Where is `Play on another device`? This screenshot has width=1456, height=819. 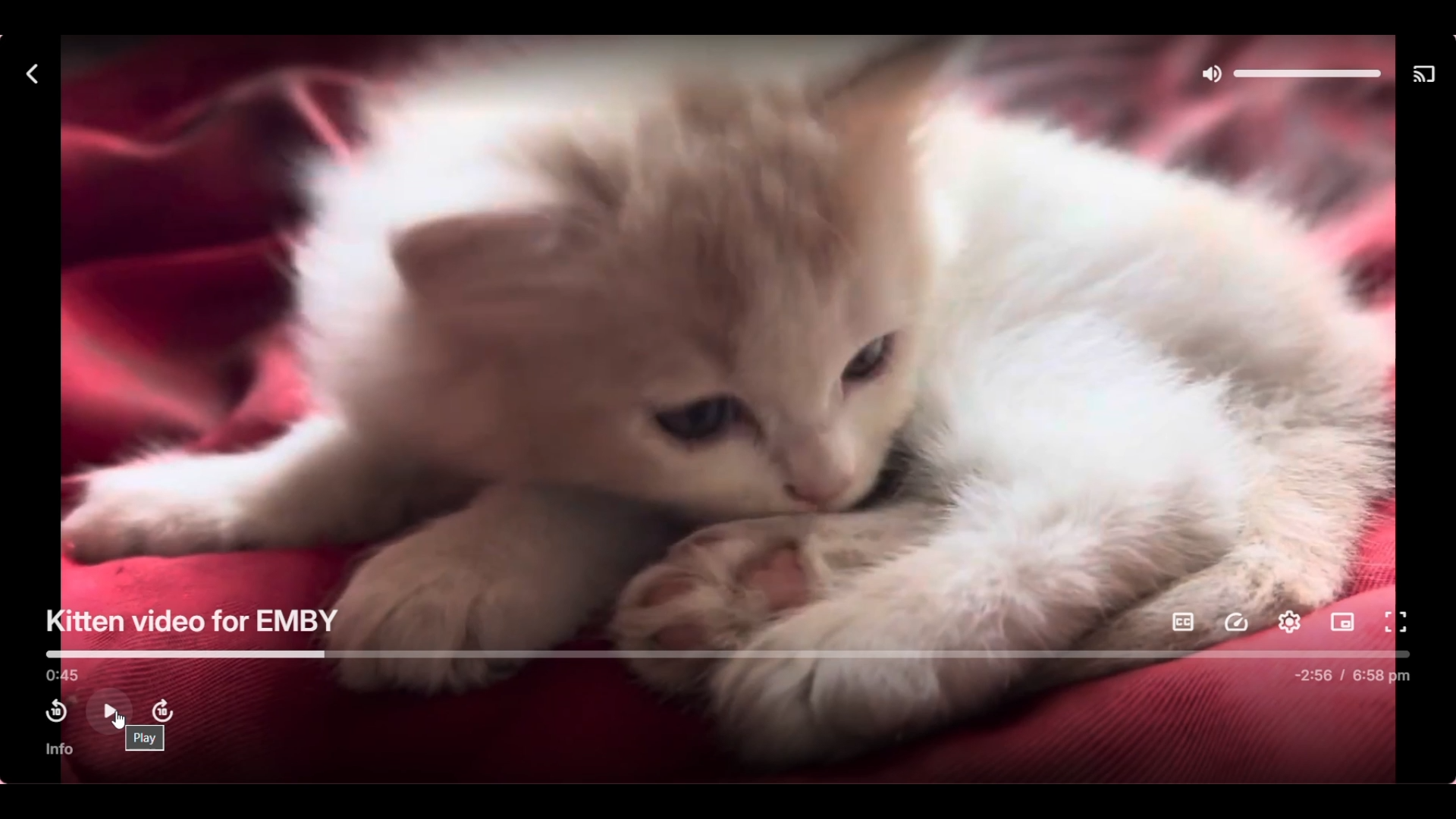 Play on another device is located at coordinates (1428, 76).